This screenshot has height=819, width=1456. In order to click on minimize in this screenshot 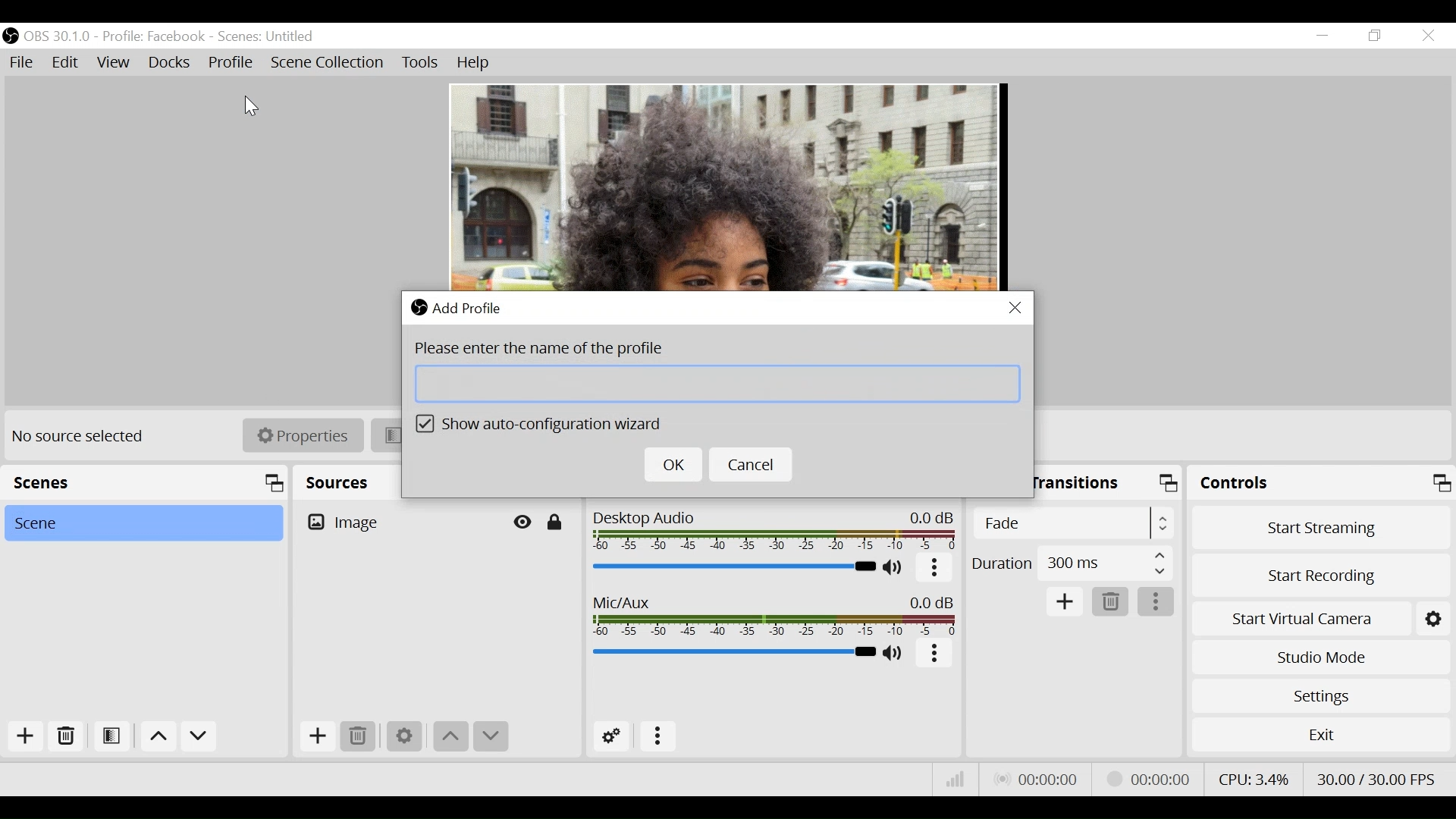, I will do `click(1321, 37)`.